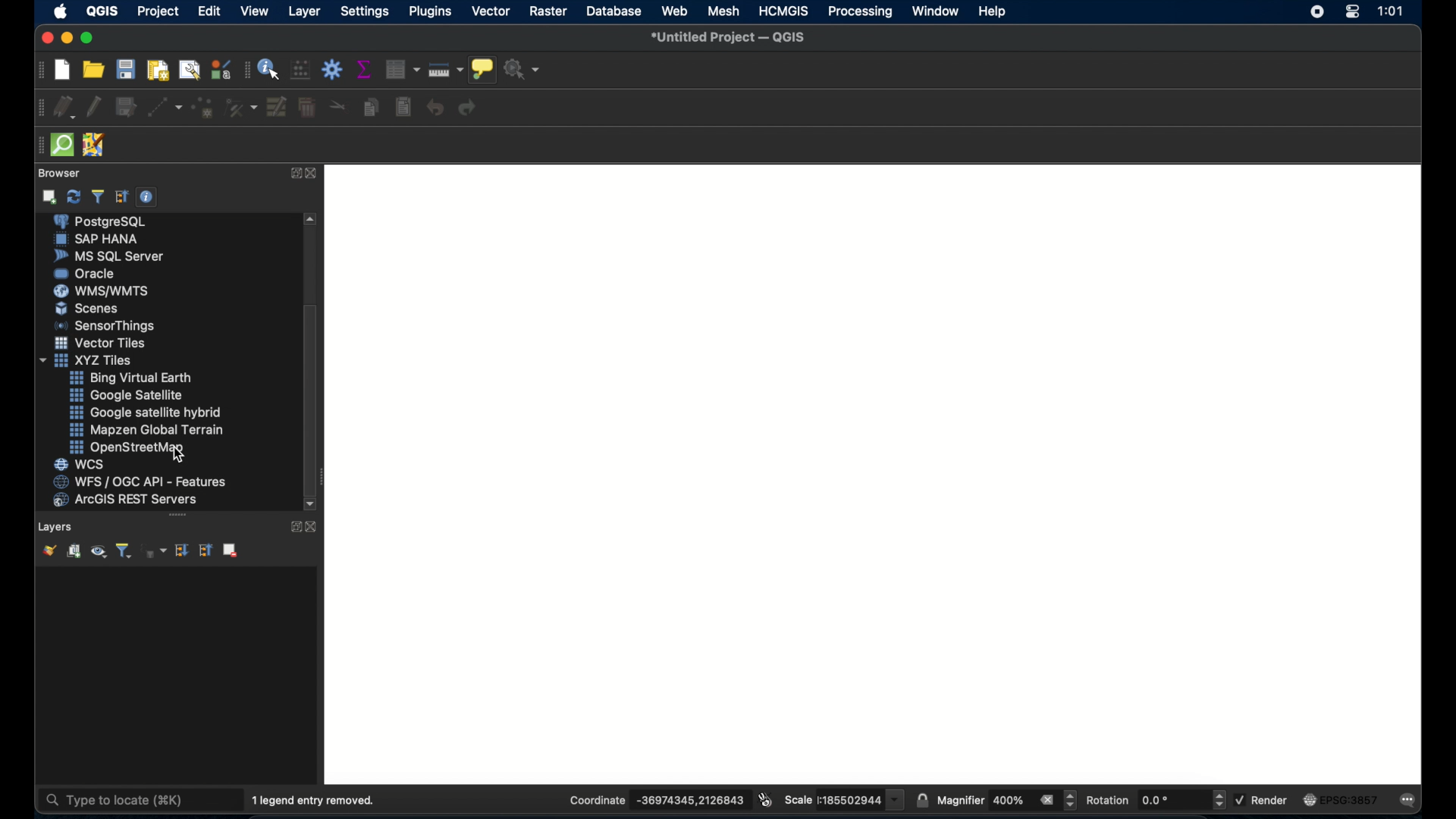 This screenshot has height=819, width=1456. I want to click on render, so click(1264, 801).